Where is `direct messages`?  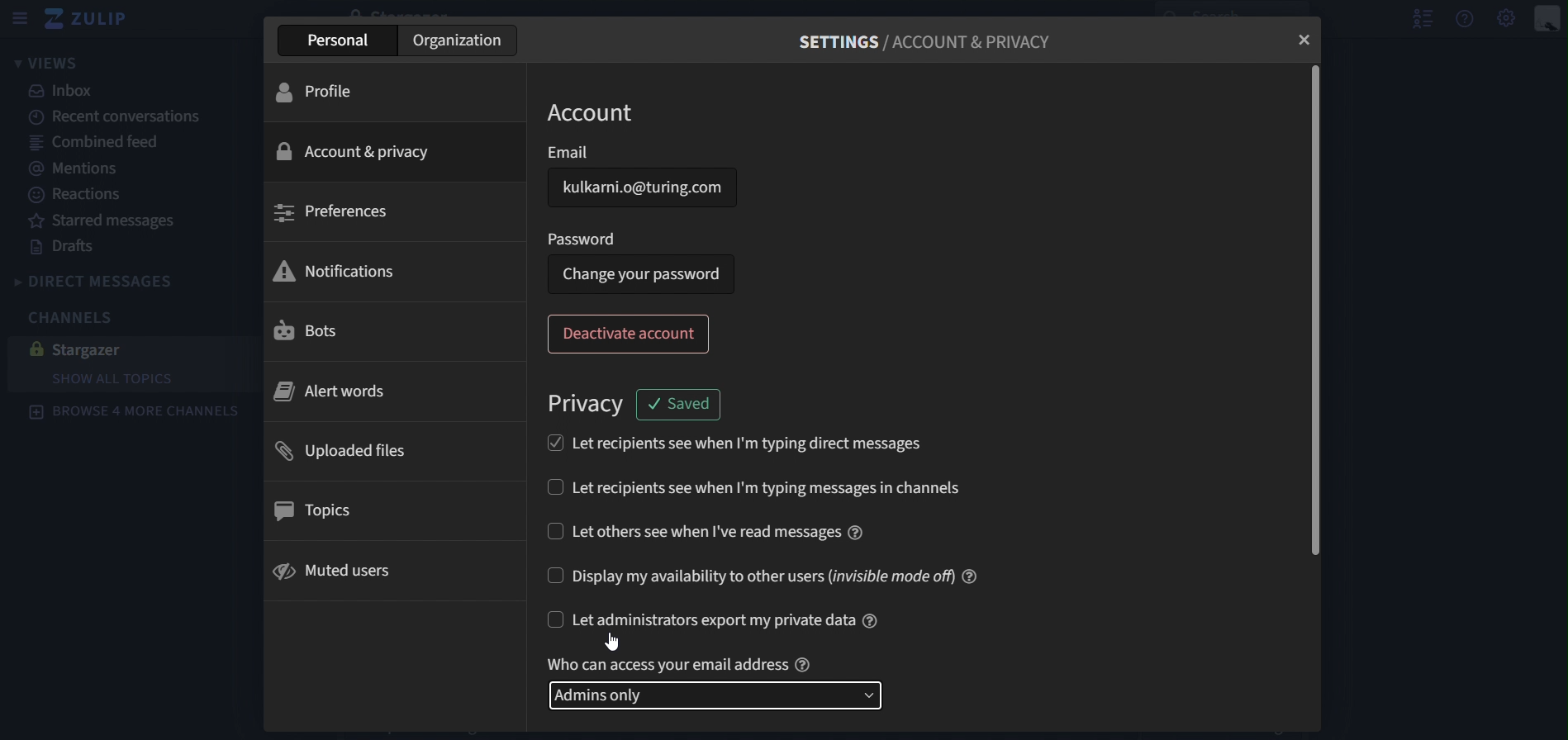 direct messages is located at coordinates (118, 280).